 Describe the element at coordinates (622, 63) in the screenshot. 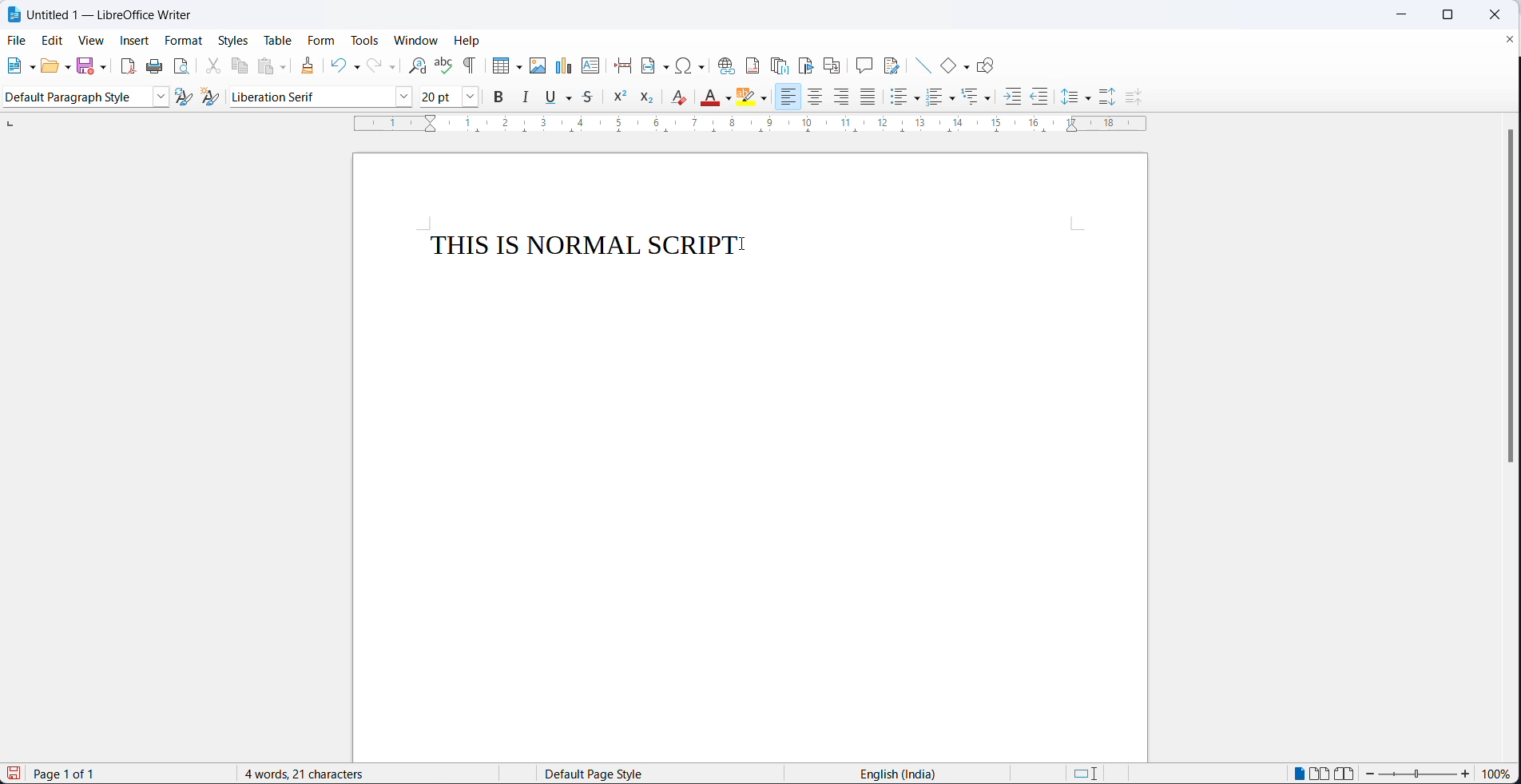

I see `page break` at that location.